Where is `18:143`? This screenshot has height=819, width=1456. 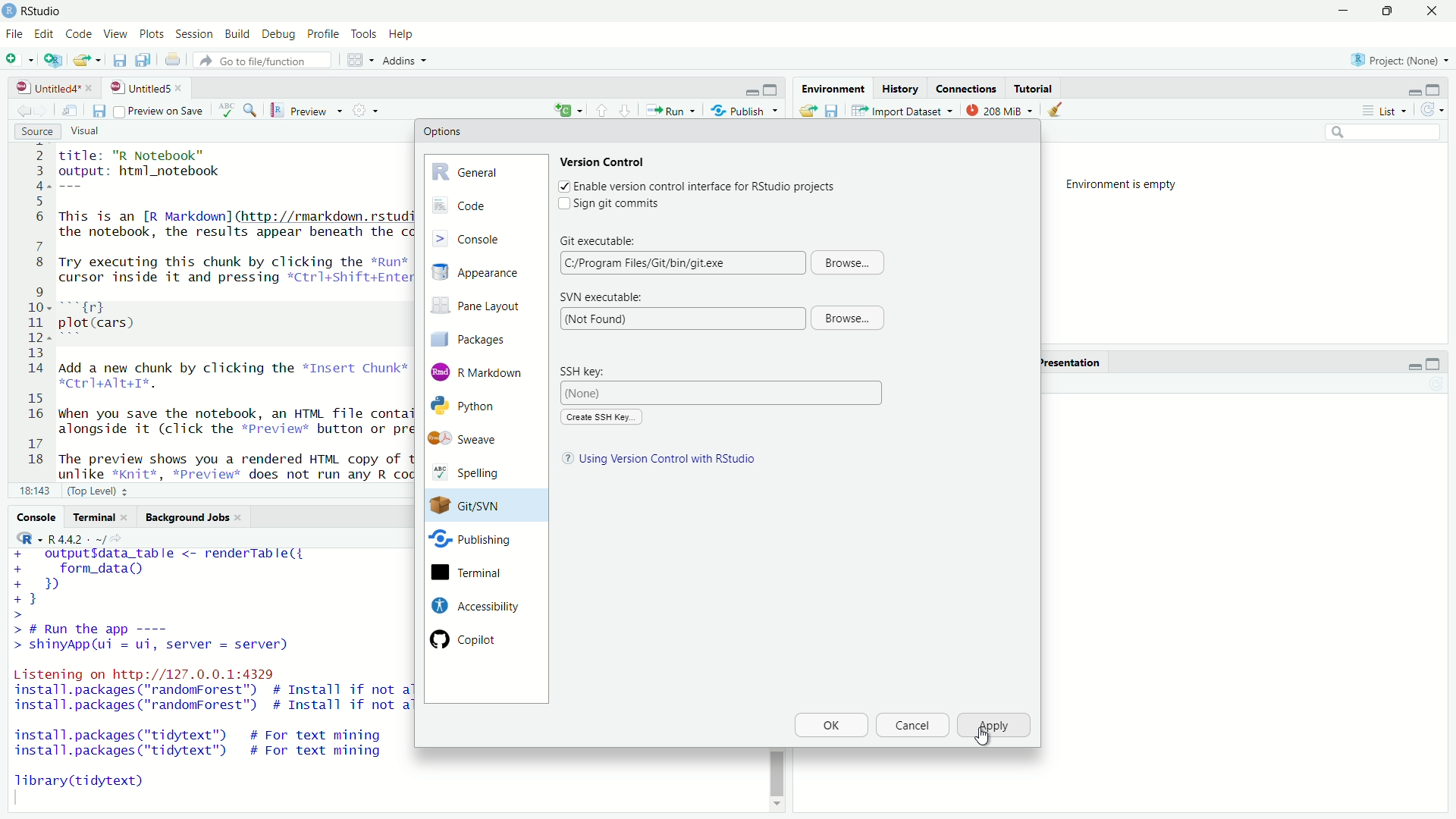 18:143 is located at coordinates (34, 490).